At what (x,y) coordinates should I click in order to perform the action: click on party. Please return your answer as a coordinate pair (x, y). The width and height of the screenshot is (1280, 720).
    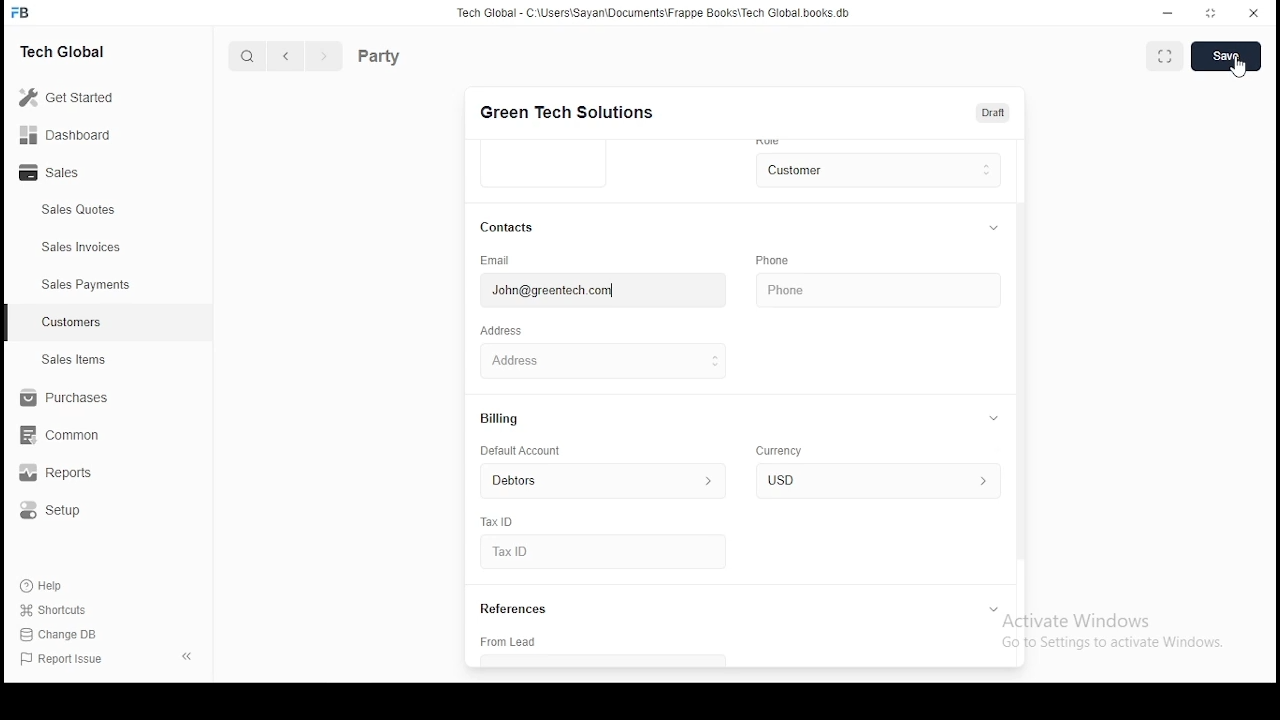
    Looking at the image, I should click on (383, 56).